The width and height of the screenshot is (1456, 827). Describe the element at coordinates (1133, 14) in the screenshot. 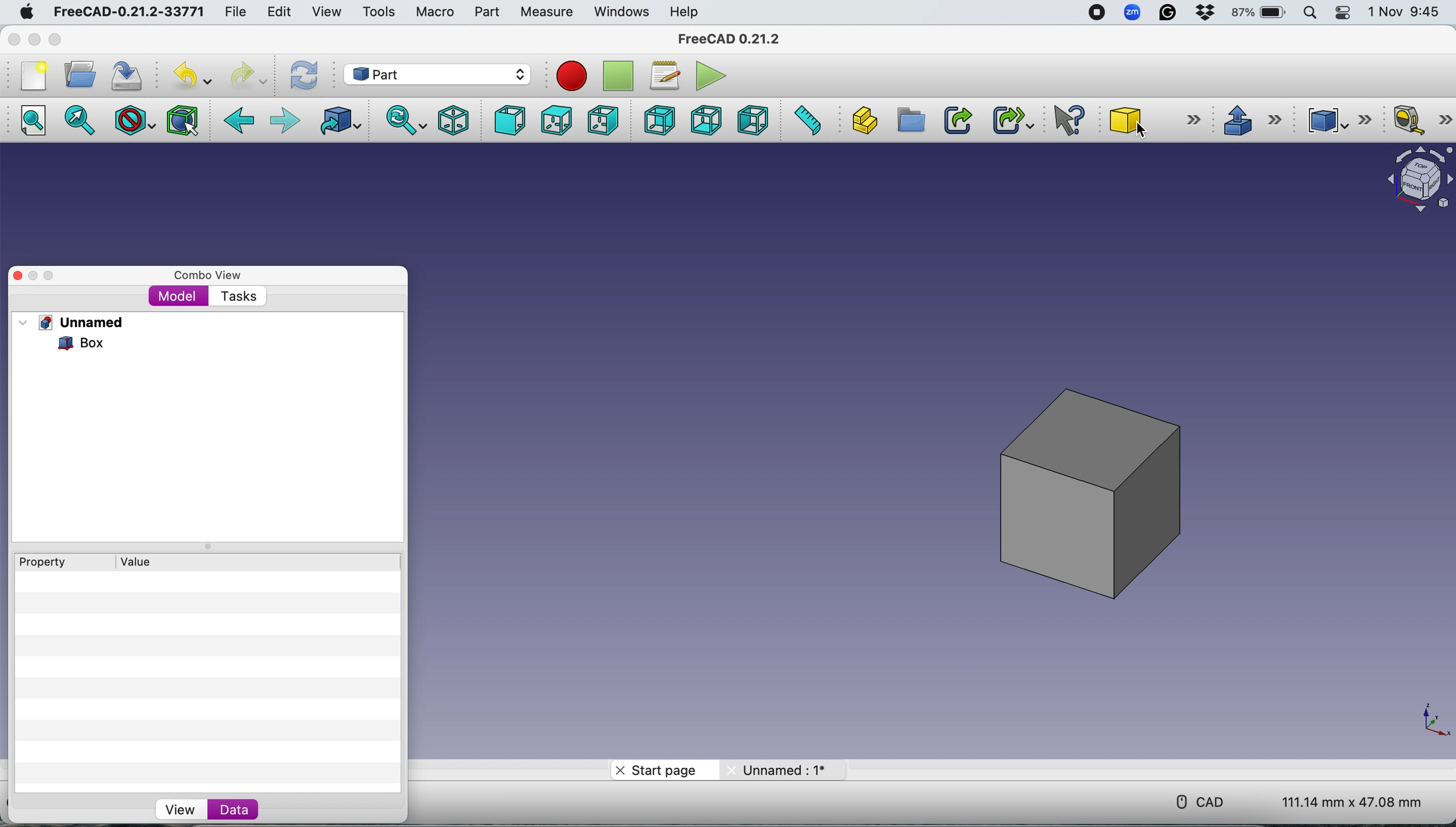

I see `Zoom` at that location.